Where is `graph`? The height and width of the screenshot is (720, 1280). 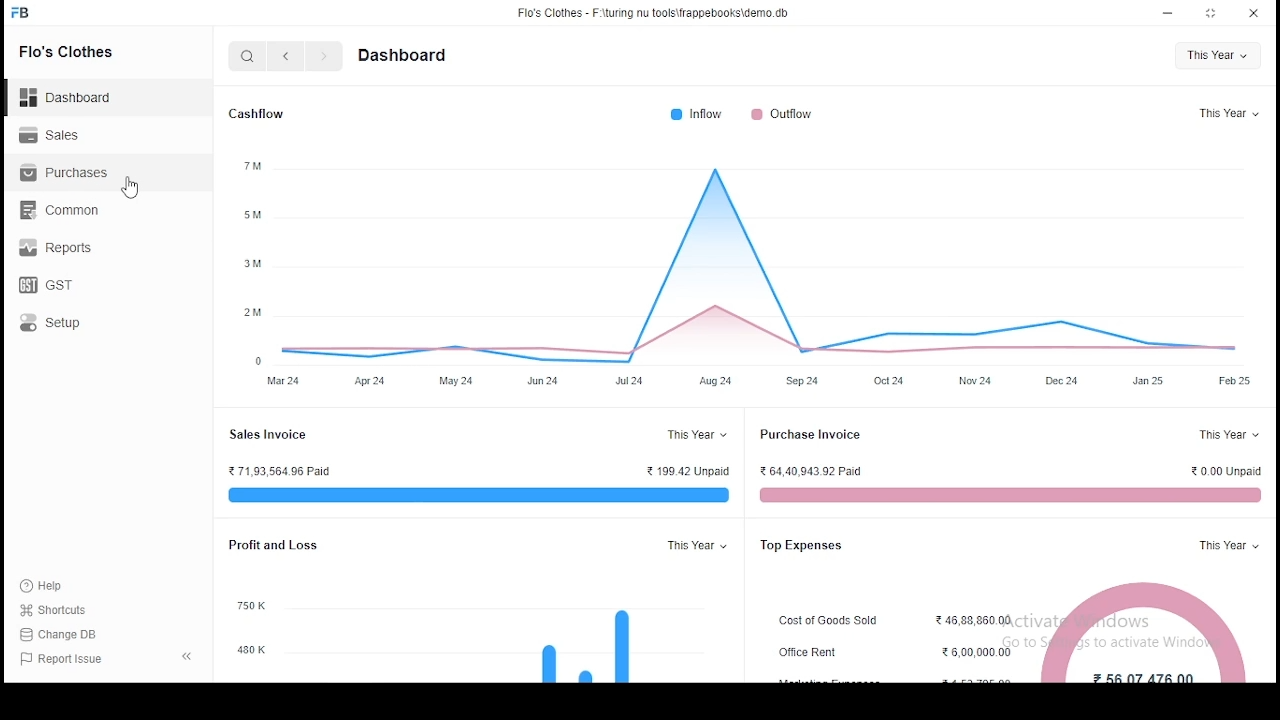 graph is located at coordinates (1147, 633).